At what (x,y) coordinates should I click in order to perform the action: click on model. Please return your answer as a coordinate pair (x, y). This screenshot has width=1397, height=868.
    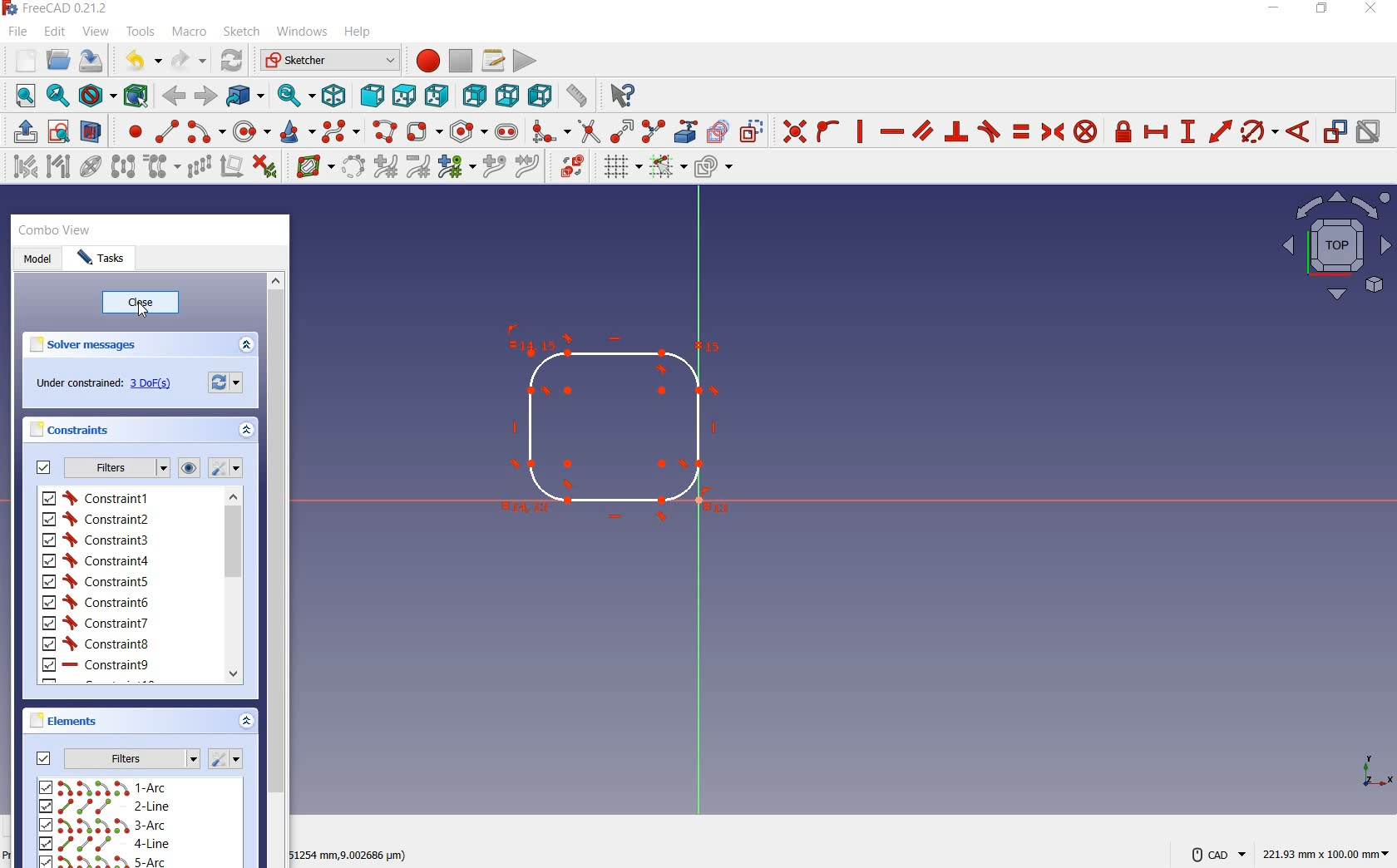
    Looking at the image, I should click on (40, 258).